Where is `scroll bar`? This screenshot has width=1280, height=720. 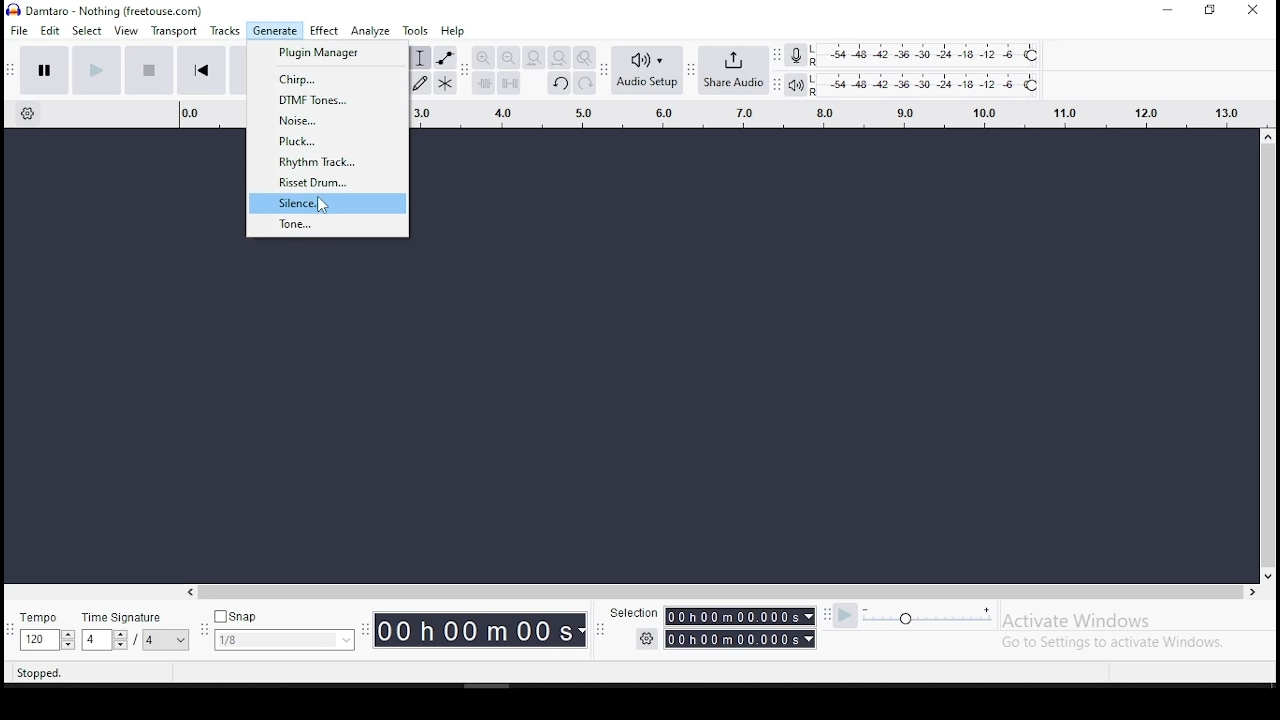 scroll bar is located at coordinates (721, 590).